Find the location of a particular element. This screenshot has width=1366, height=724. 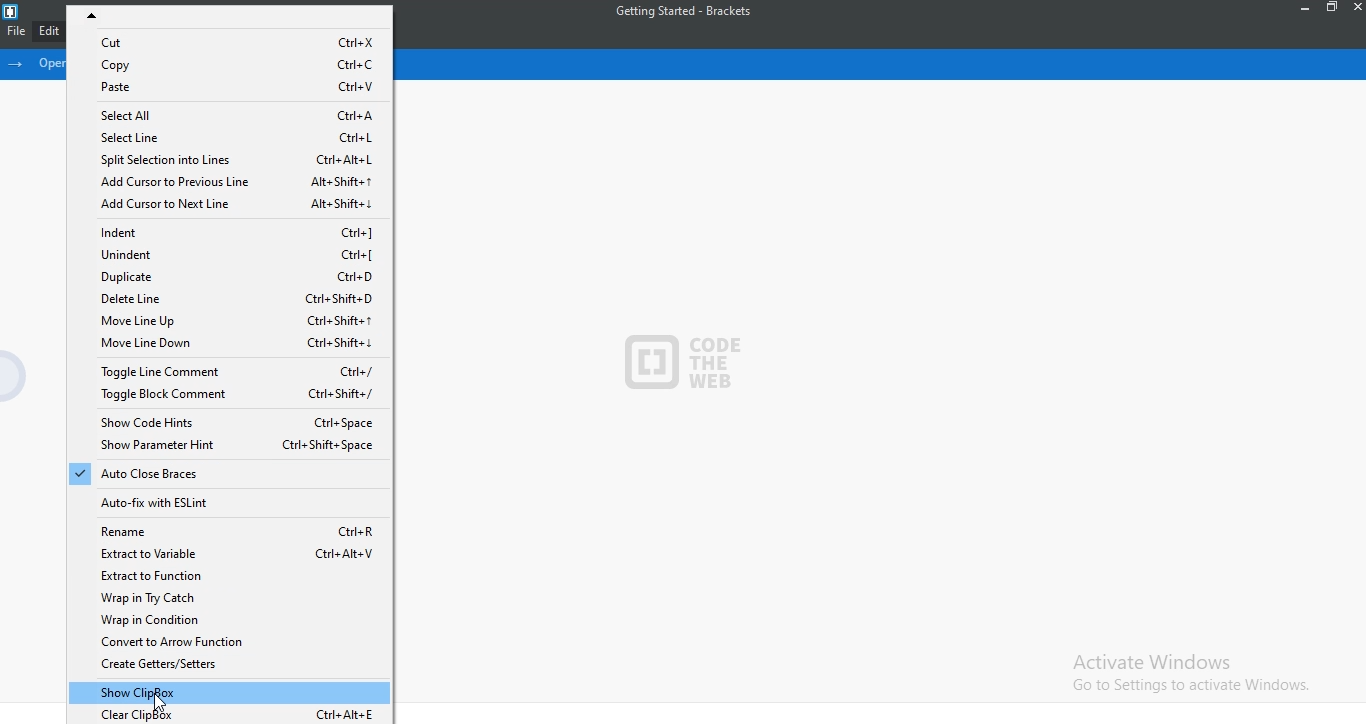

Wrap in Try Catch is located at coordinates (229, 597).